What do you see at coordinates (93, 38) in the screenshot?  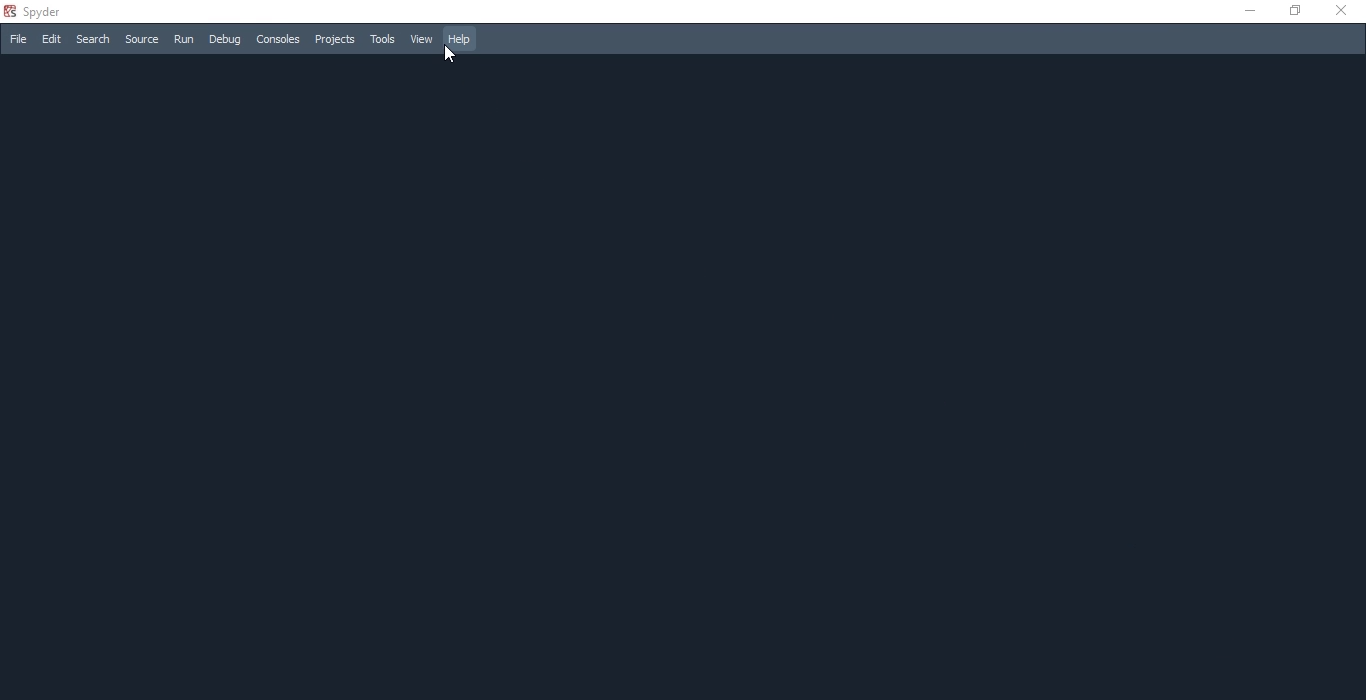 I see `Search` at bounding box center [93, 38].